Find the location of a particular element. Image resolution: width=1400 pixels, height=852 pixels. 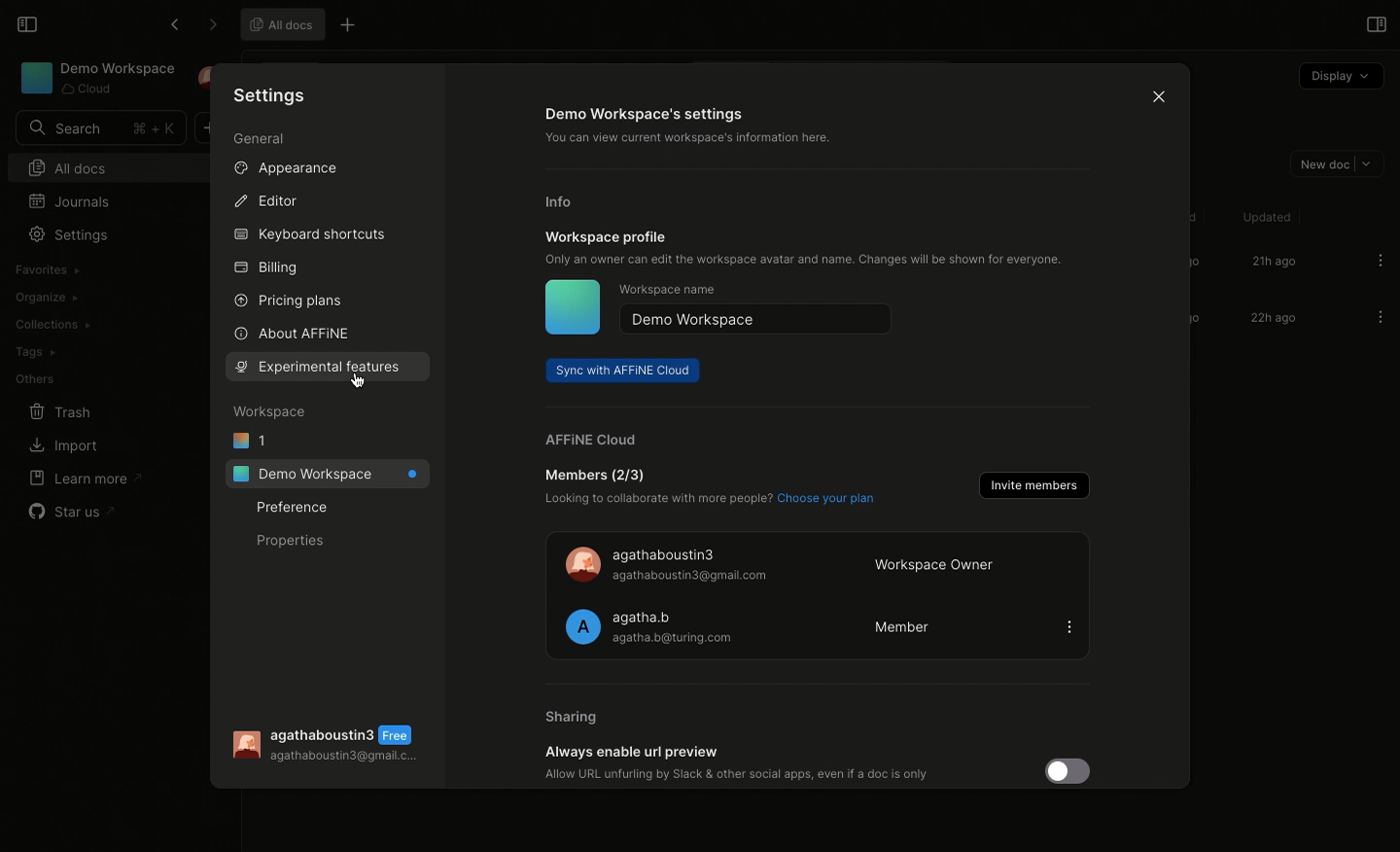

Learn more is located at coordinates (84, 478).